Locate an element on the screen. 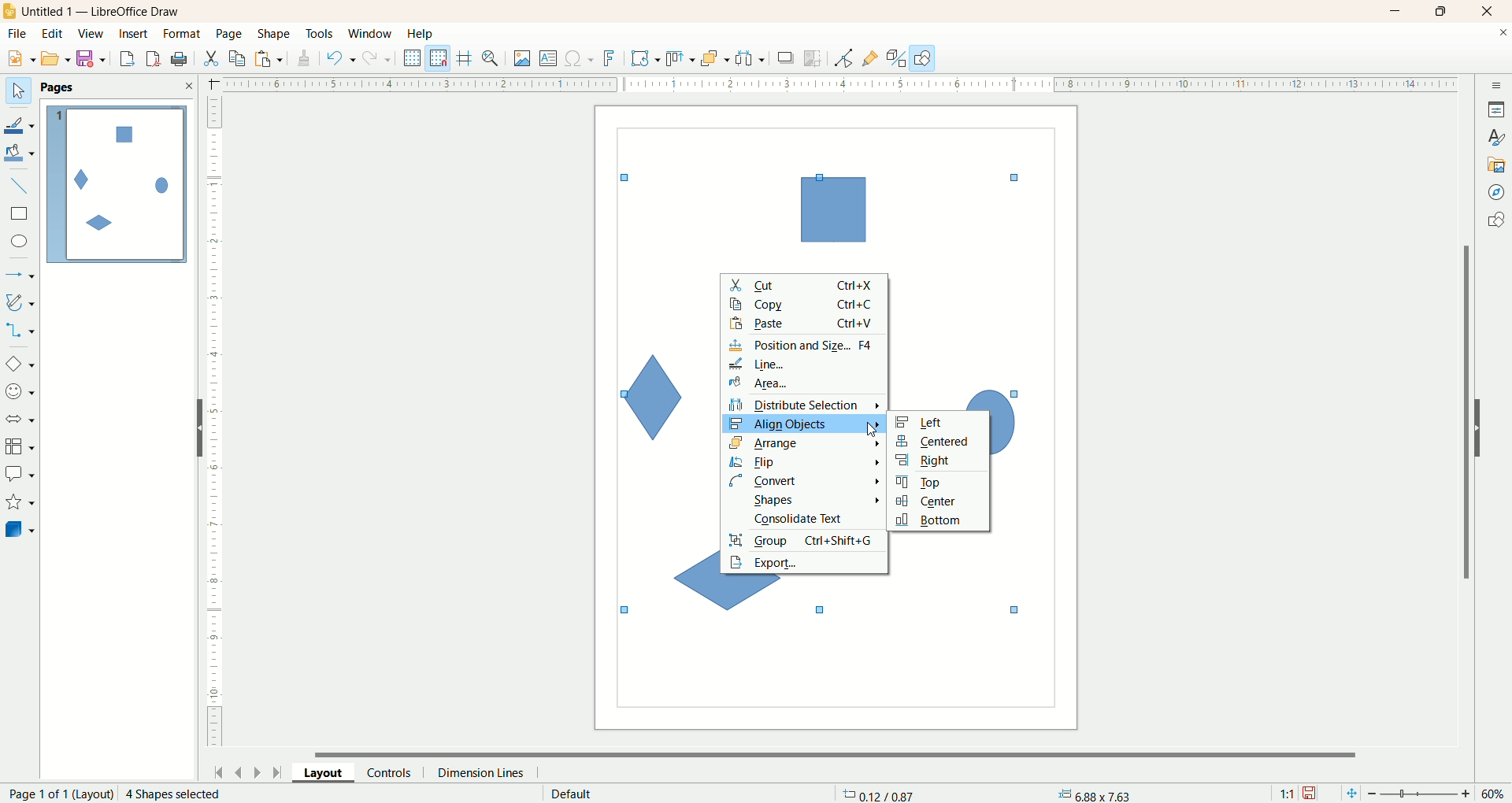  gallery is located at coordinates (1497, 163).